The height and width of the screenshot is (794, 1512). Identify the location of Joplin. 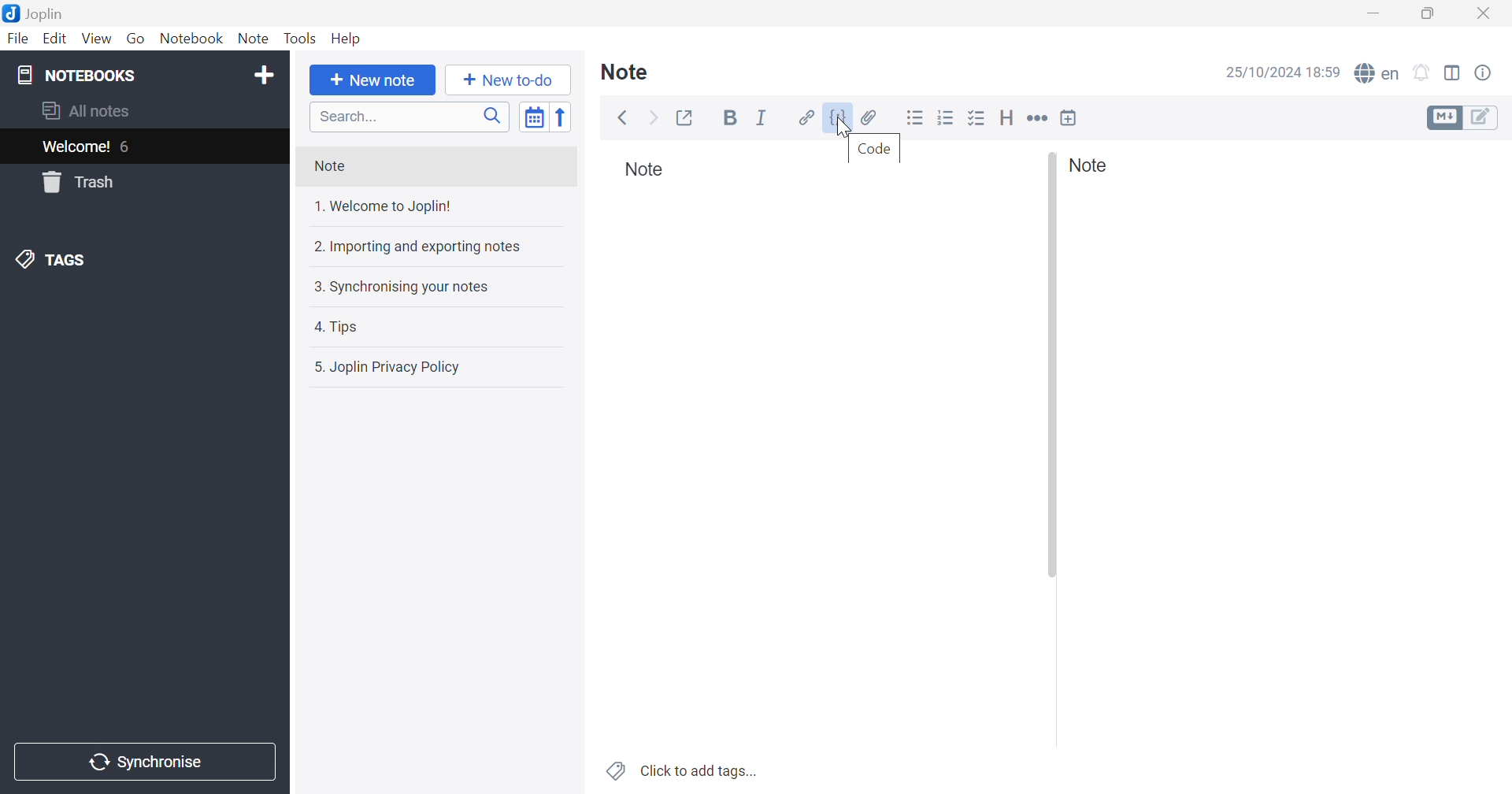
(33, 13).